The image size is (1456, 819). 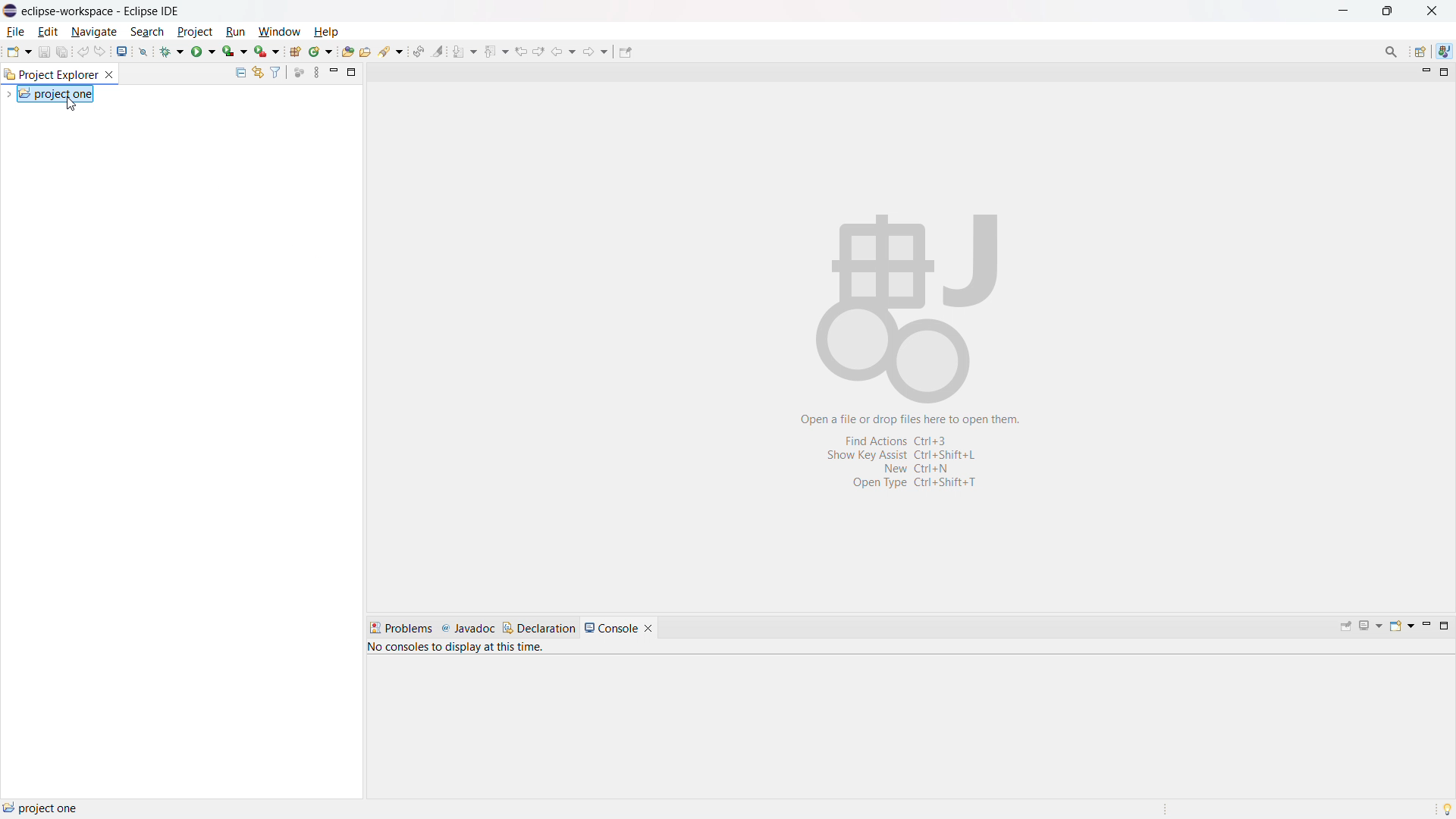 I want to click on open task, so click(x=366, y=51).